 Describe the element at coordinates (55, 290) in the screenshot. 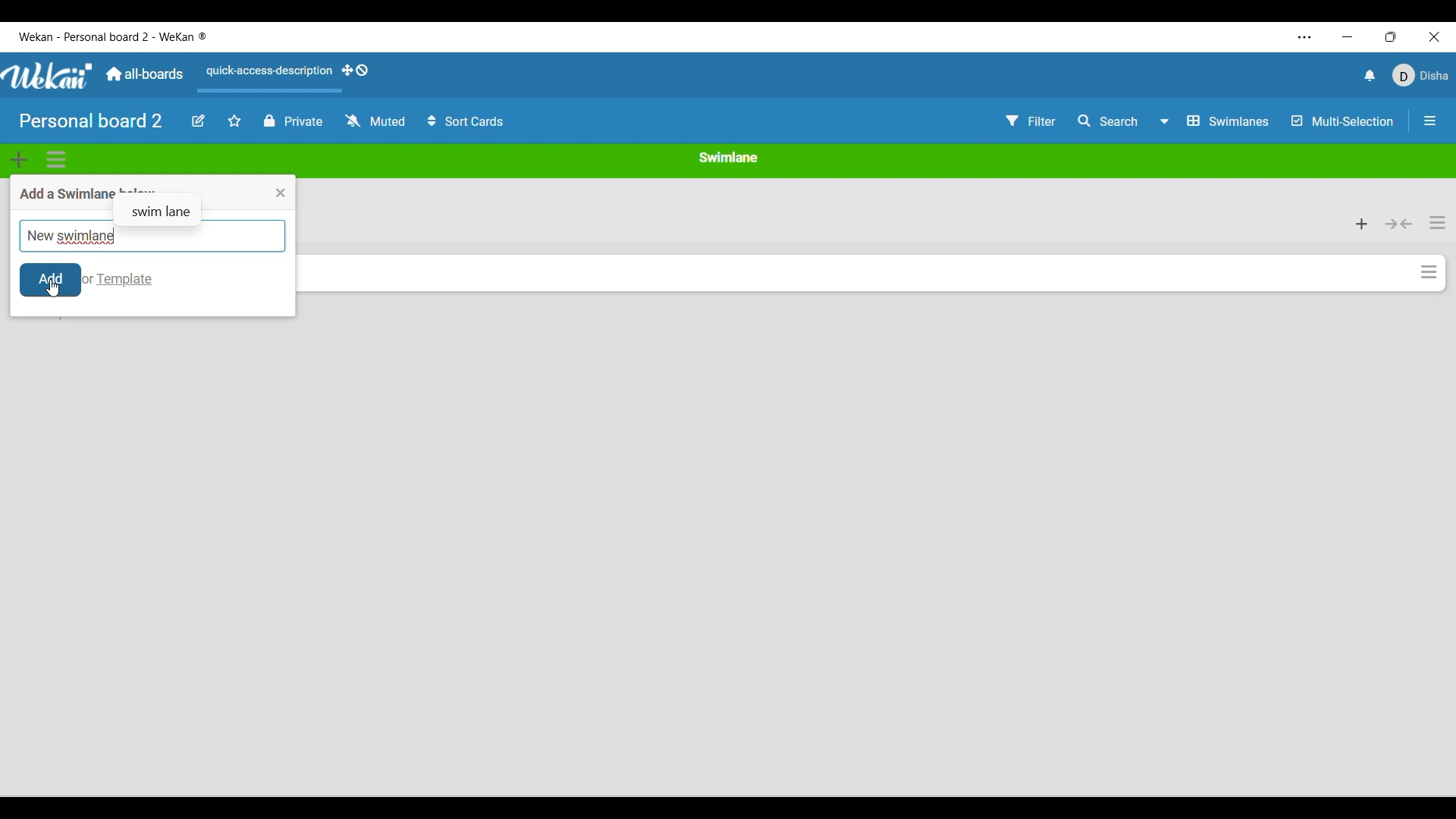

I see `cursor` at that location.